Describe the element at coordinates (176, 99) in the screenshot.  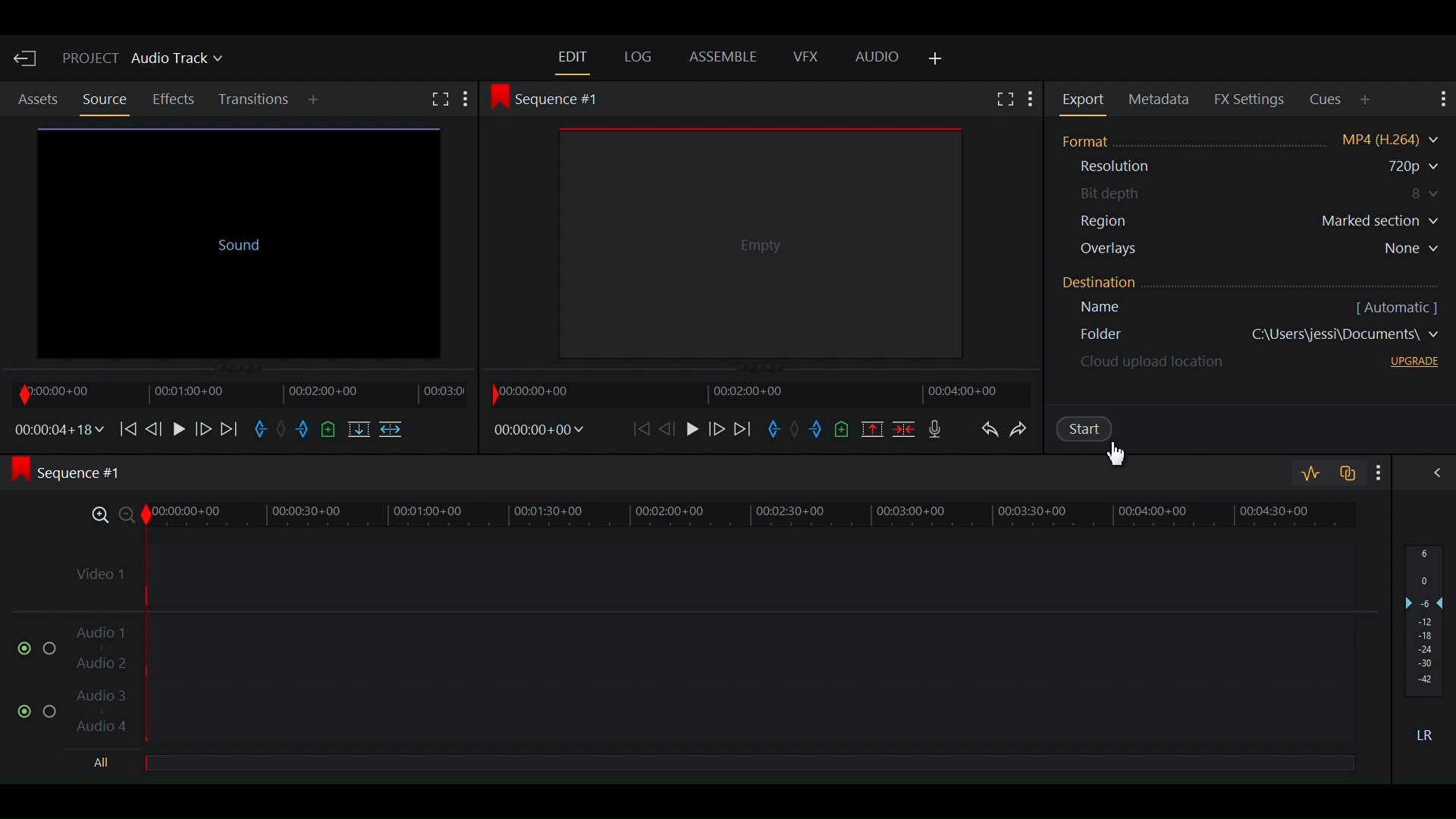
I see `Effects` at that location.